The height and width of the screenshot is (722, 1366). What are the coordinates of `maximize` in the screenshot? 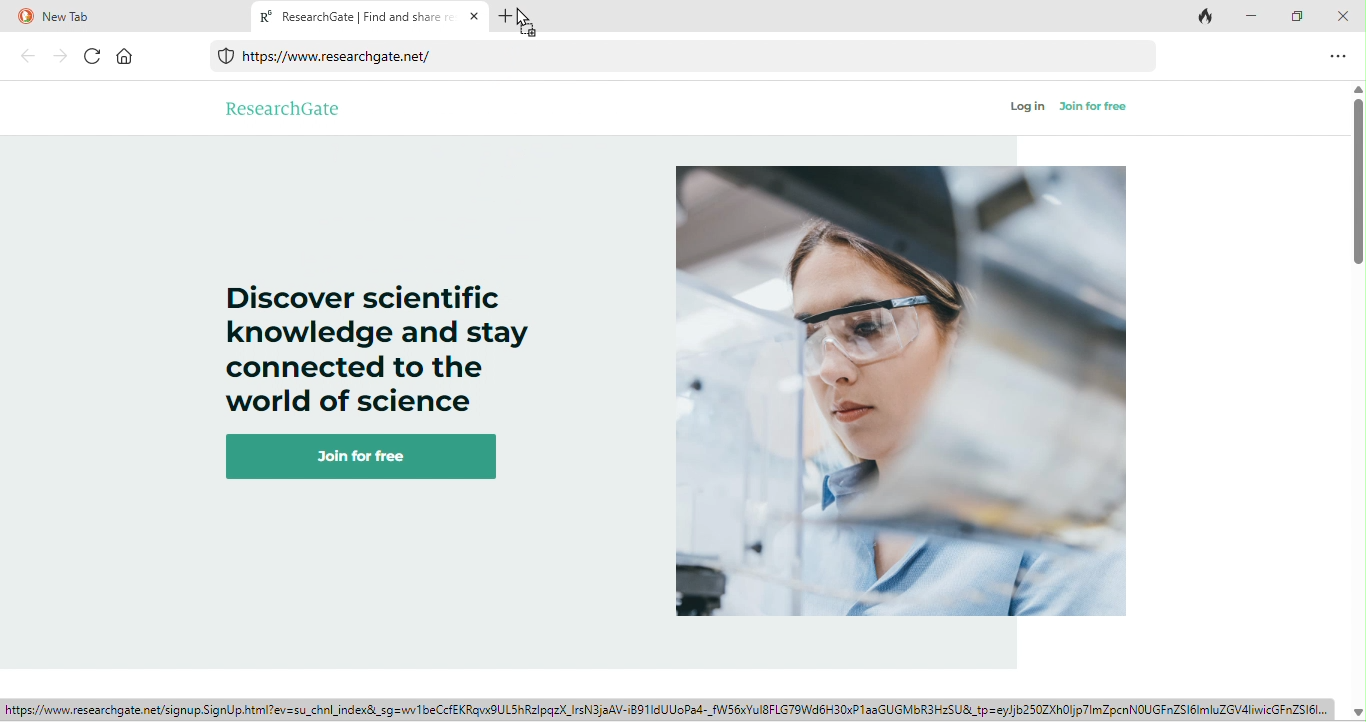 It's located at (1301, 17).